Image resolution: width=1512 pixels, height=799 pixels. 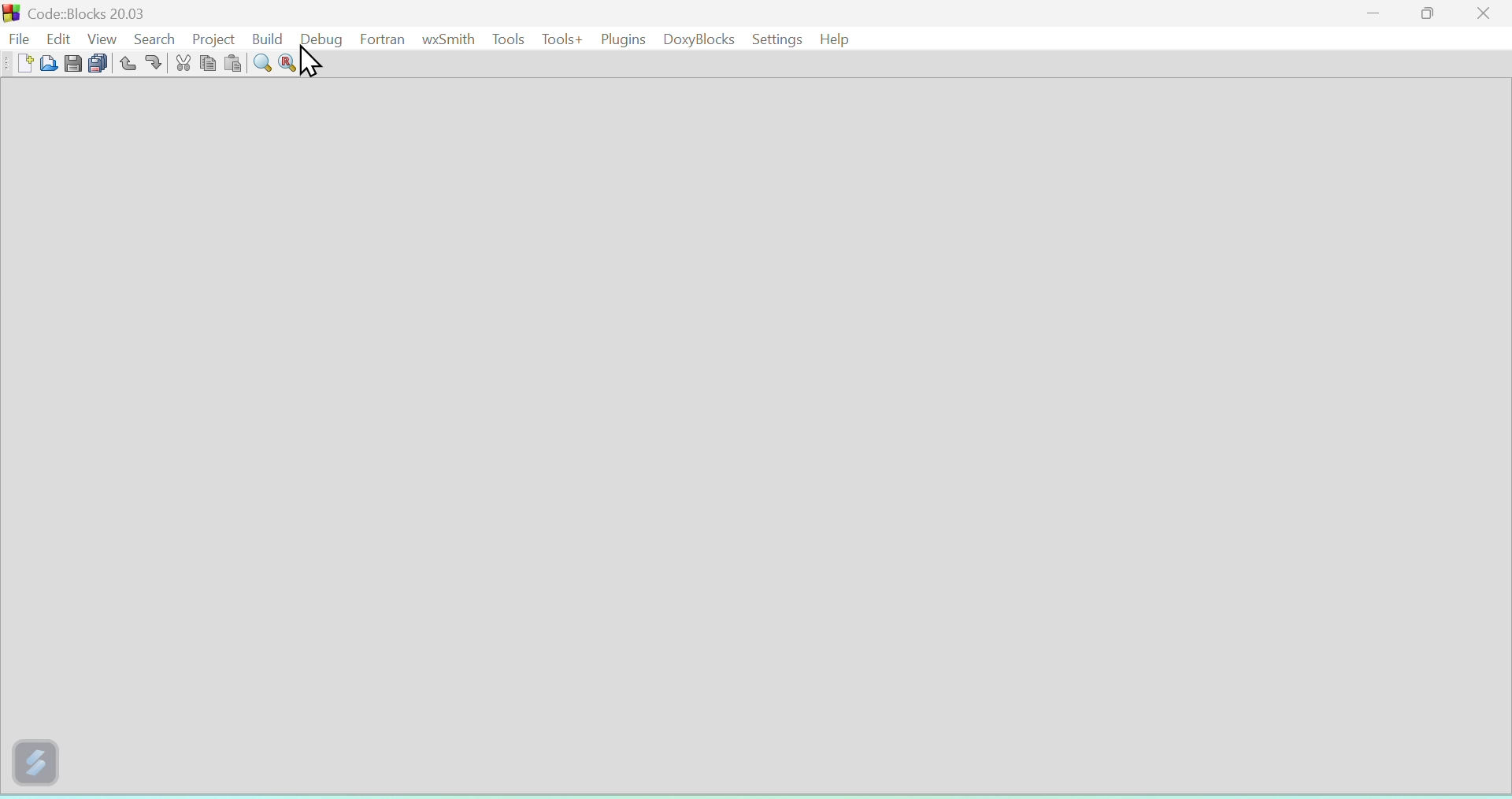 What do you see at coordinates (71, 64) in the screenshot?
I see `save ` at bounding box center [71, 64].